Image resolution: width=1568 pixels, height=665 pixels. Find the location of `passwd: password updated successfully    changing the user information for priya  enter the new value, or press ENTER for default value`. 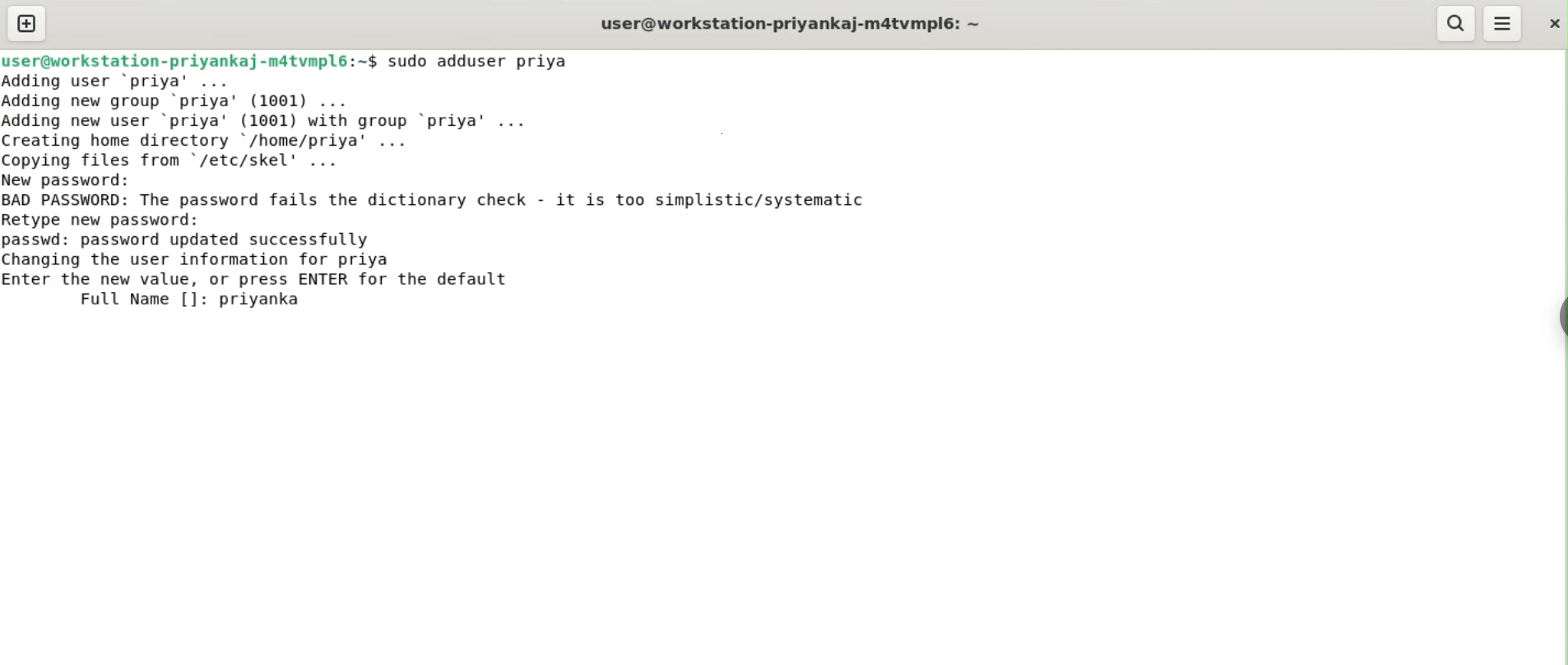

passwd: password updated successfully    changing the user information for priya  enter the new value, or press ENTER for default value is located at coordinates (295, 257).